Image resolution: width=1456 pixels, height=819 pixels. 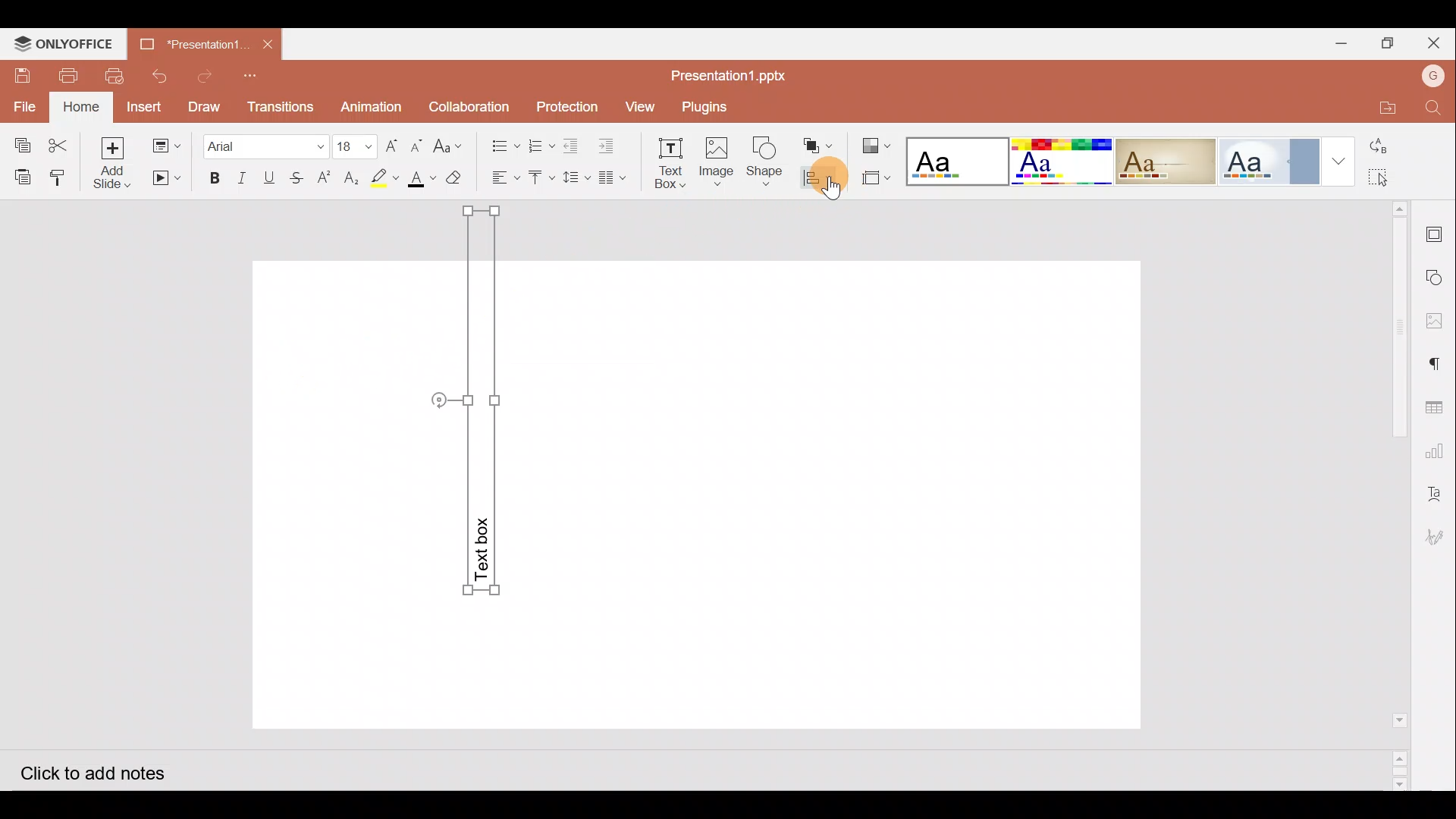 I want to click on Copy, so click(x=19, y=141).